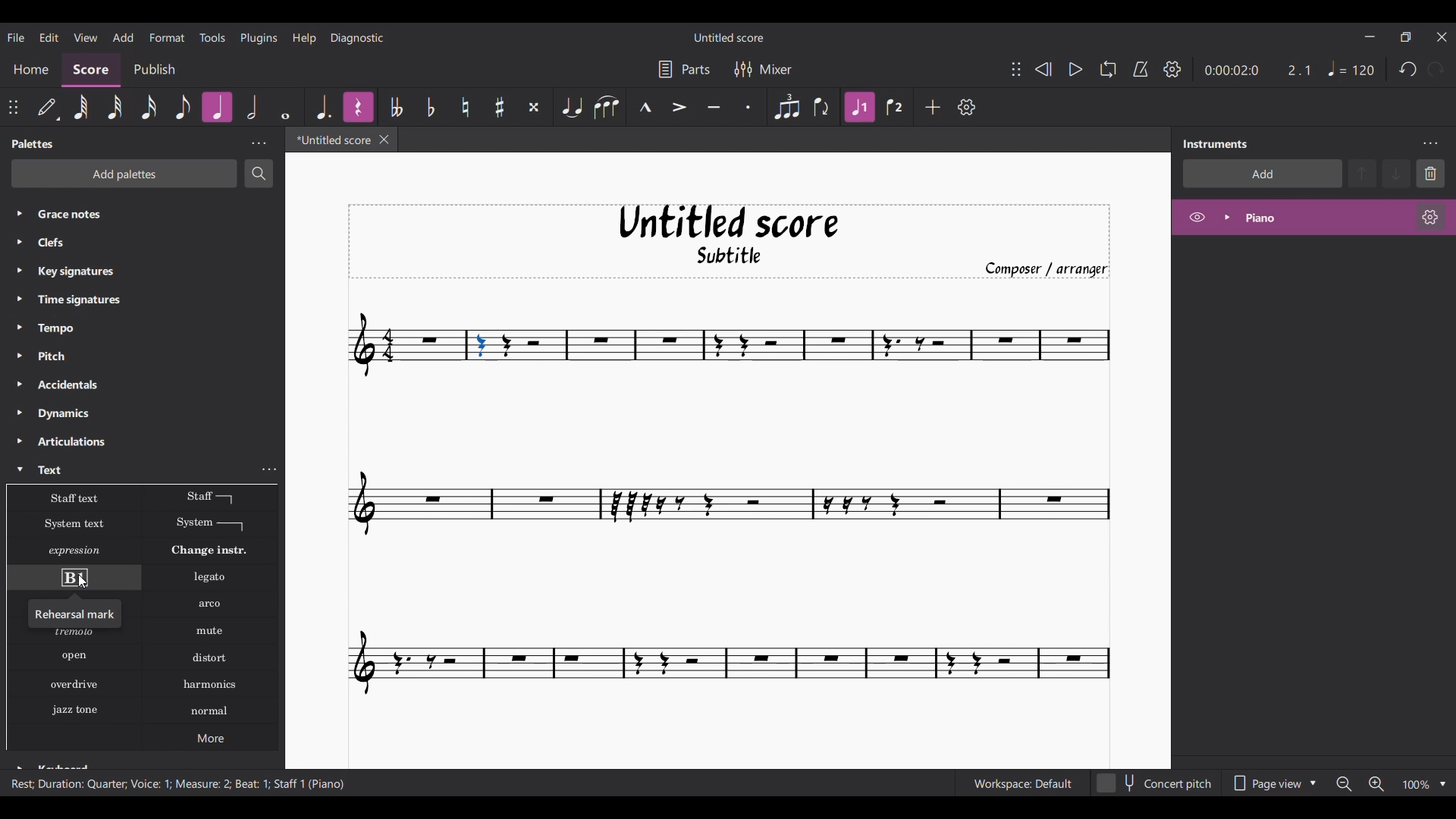  Describe the element at coordinates (1326, 218) in the screenshot. I see `Current instrument, highlighted` at that location.